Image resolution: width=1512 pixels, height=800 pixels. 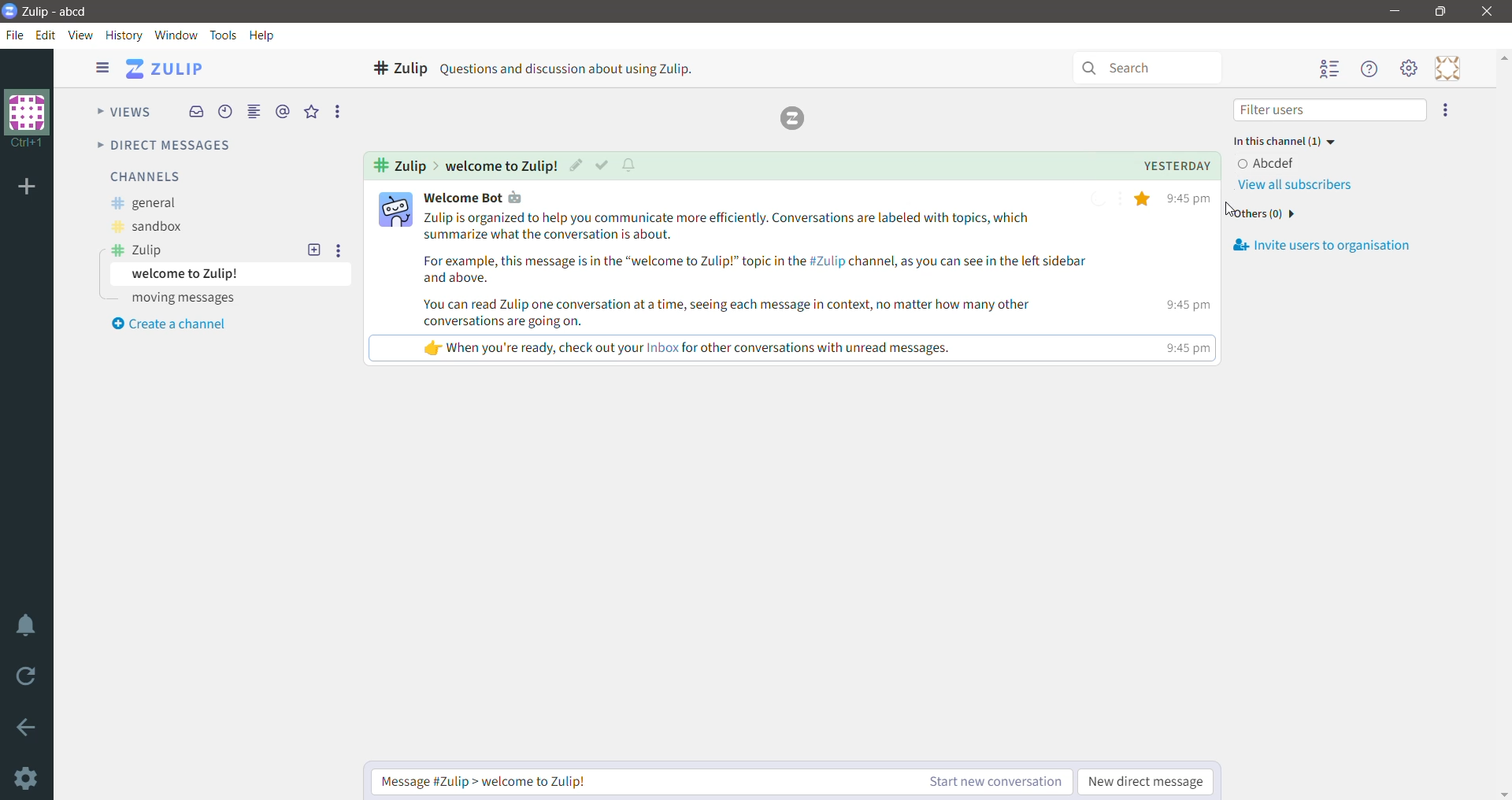 What do you see at coordinates (1266, 216) in the screenshot?
I see `Others` at bounding box center [1266, 216].